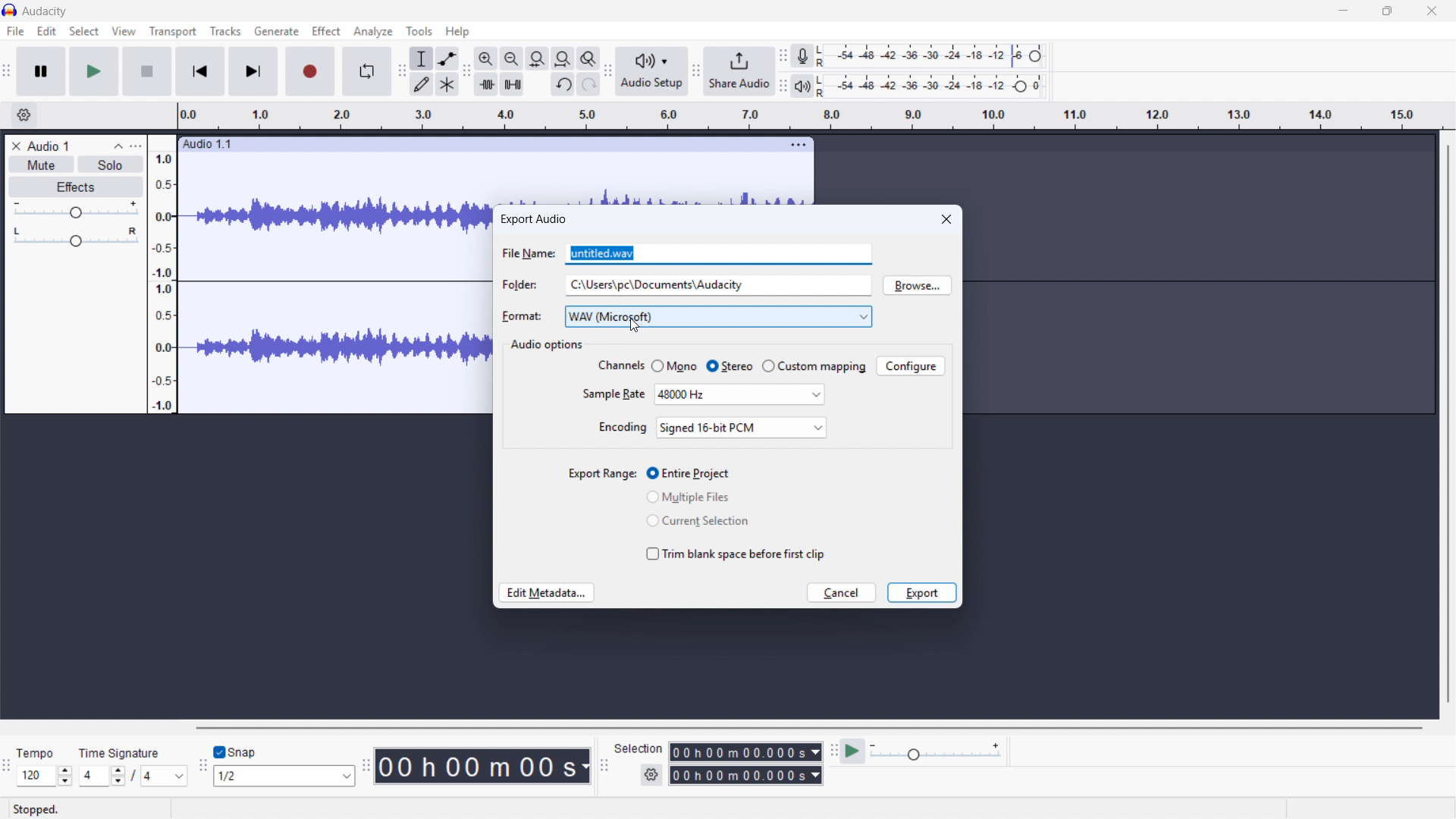 This screenshot has height=819, width=1456. What do you see at coordinates (803, 86) in the screenshot?
I see `Playback metre ` at bounding box center [803, 86].